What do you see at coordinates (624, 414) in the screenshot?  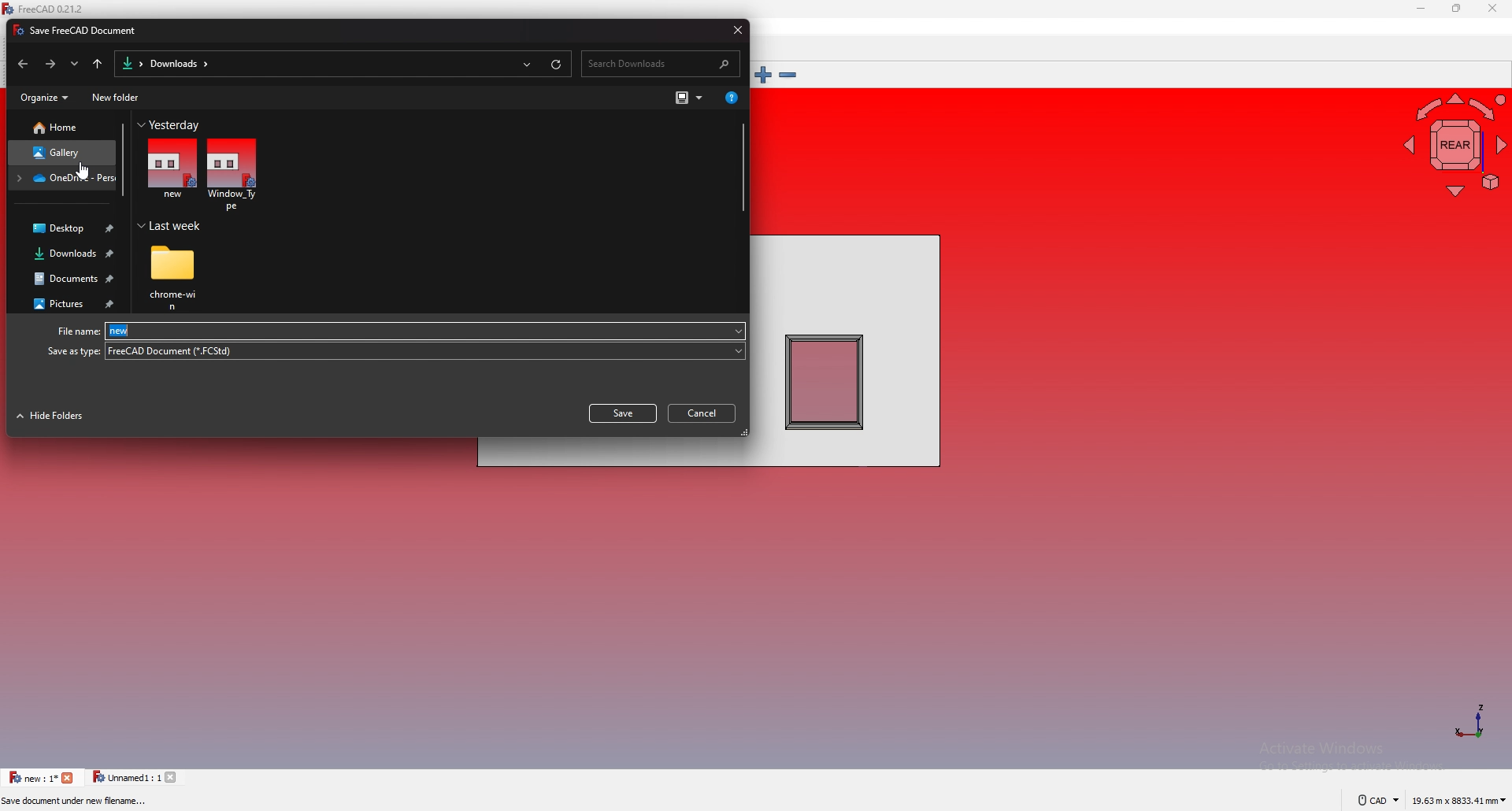 I see `save` at bounding box center [624, 414].